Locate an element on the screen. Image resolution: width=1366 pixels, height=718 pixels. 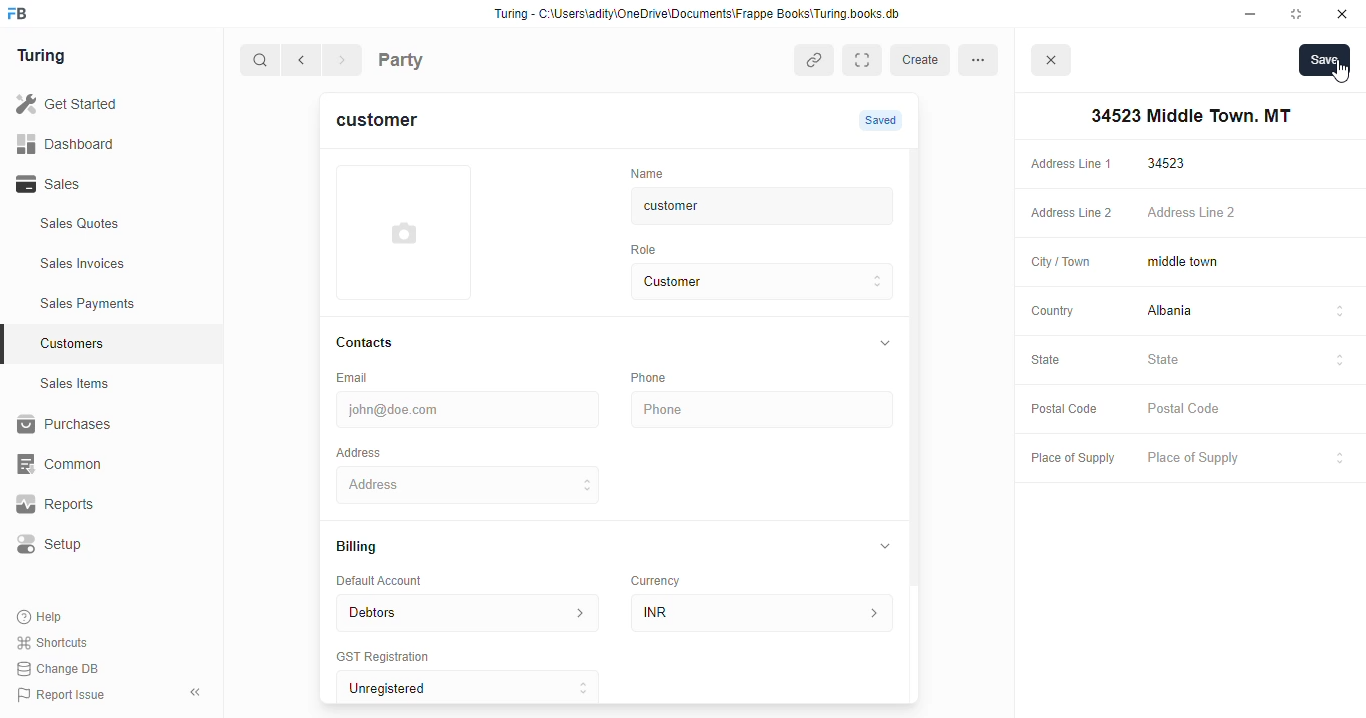
Postal Code is located at coordinates (1247, 410).